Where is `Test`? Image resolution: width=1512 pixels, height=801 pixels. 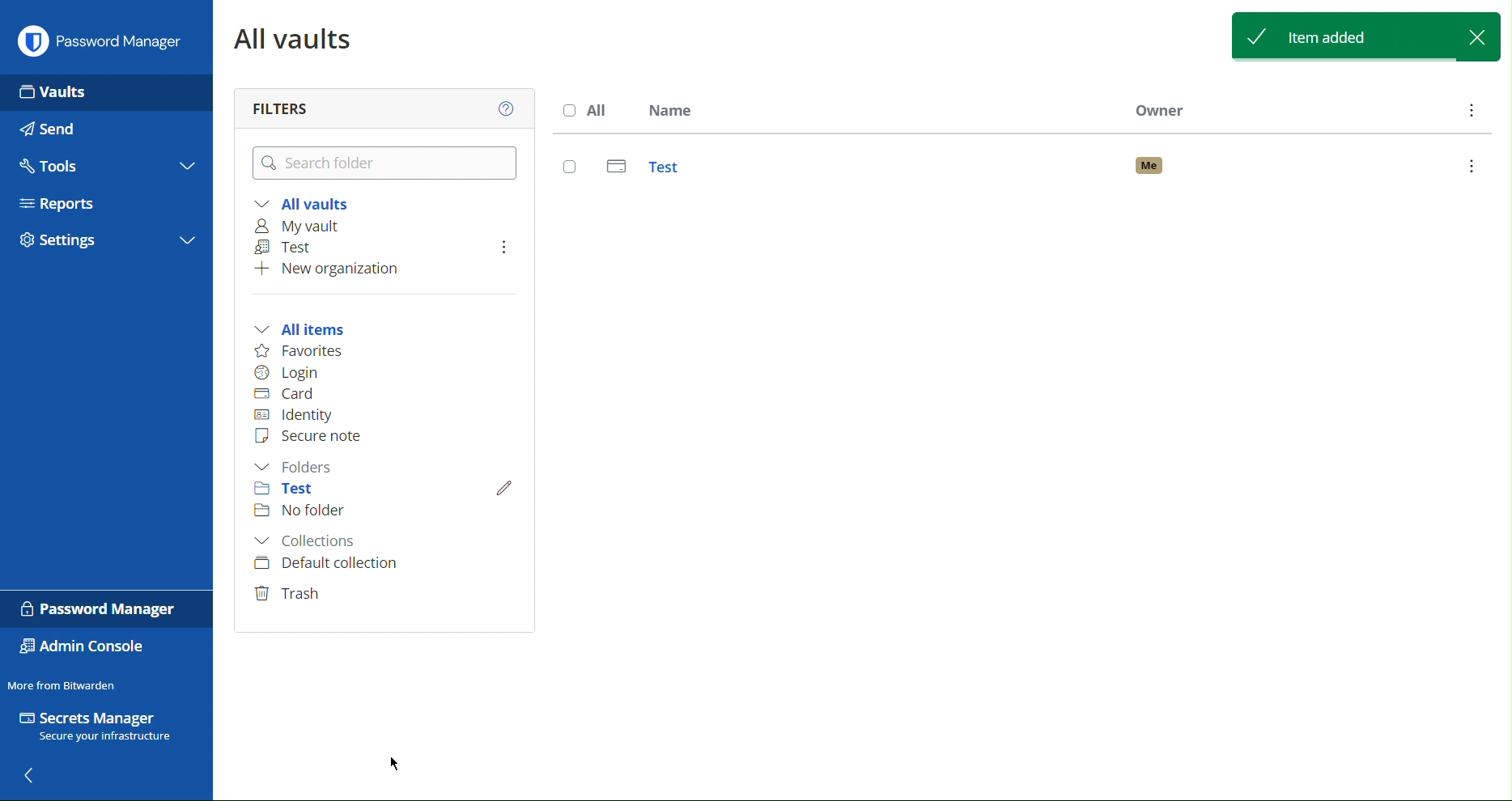
Test is located at coordinates (289, 489).